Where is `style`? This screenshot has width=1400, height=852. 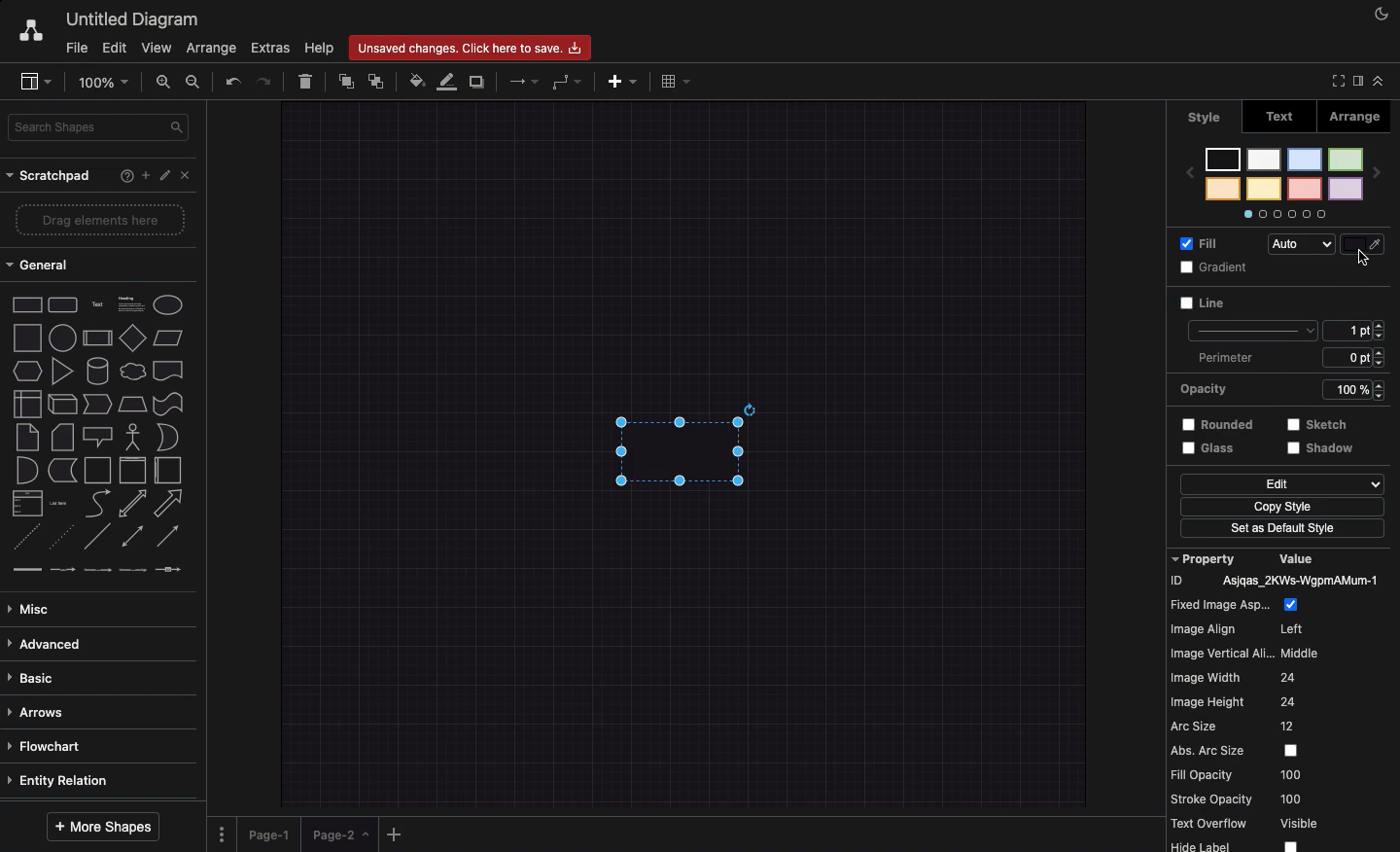
style is located at coordinates (1205, 117).